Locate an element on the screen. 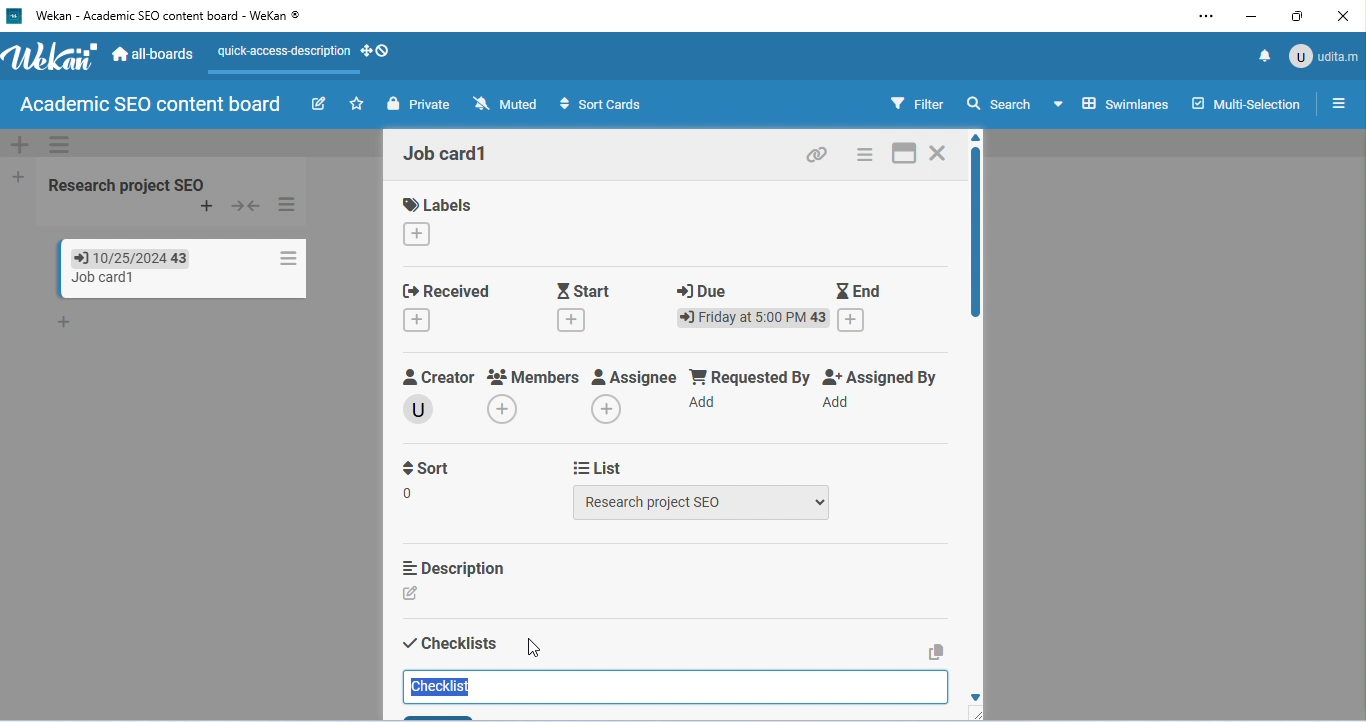 The width and height of the screenshot is (1366, 722). sort cards is located at coordinates (603, 105).